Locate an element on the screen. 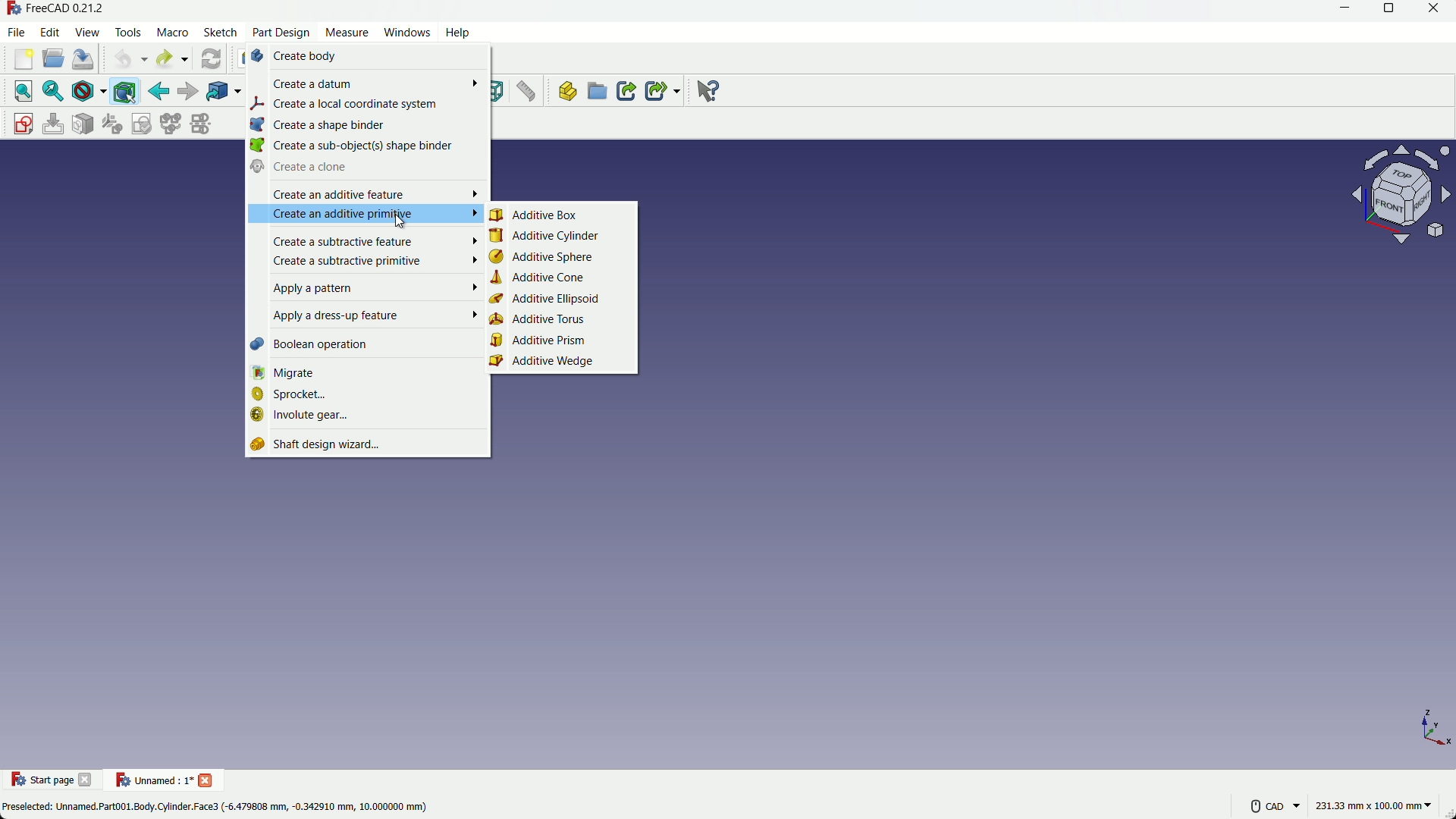 The height and width of the screenshot is (819, 1456). involute gear is located at coordinates (372, 419).